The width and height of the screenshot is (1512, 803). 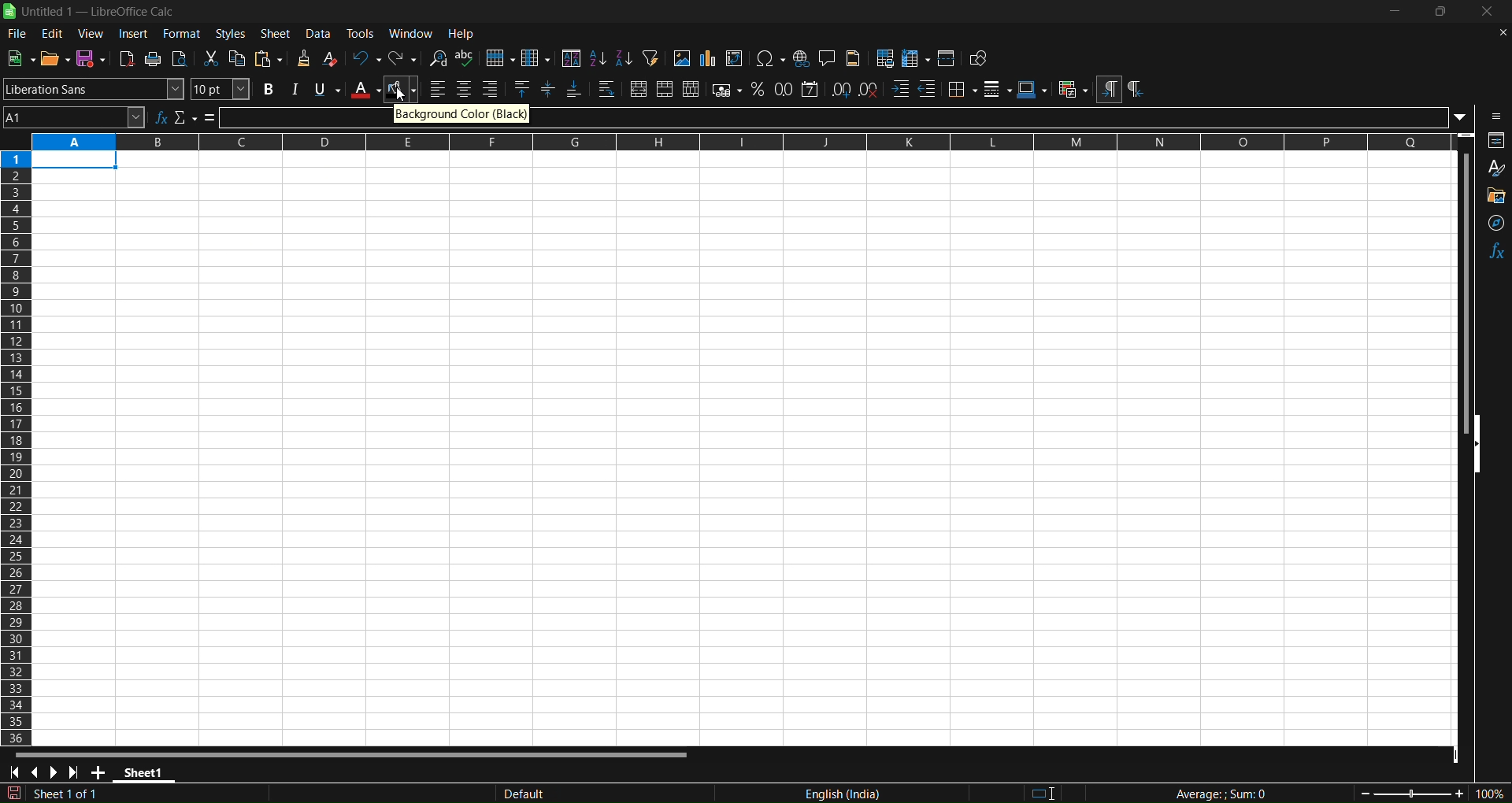 What do you see at coordinates (466, 57) in the screenshot?
I see `spelling` at bounding box center [466, 57].